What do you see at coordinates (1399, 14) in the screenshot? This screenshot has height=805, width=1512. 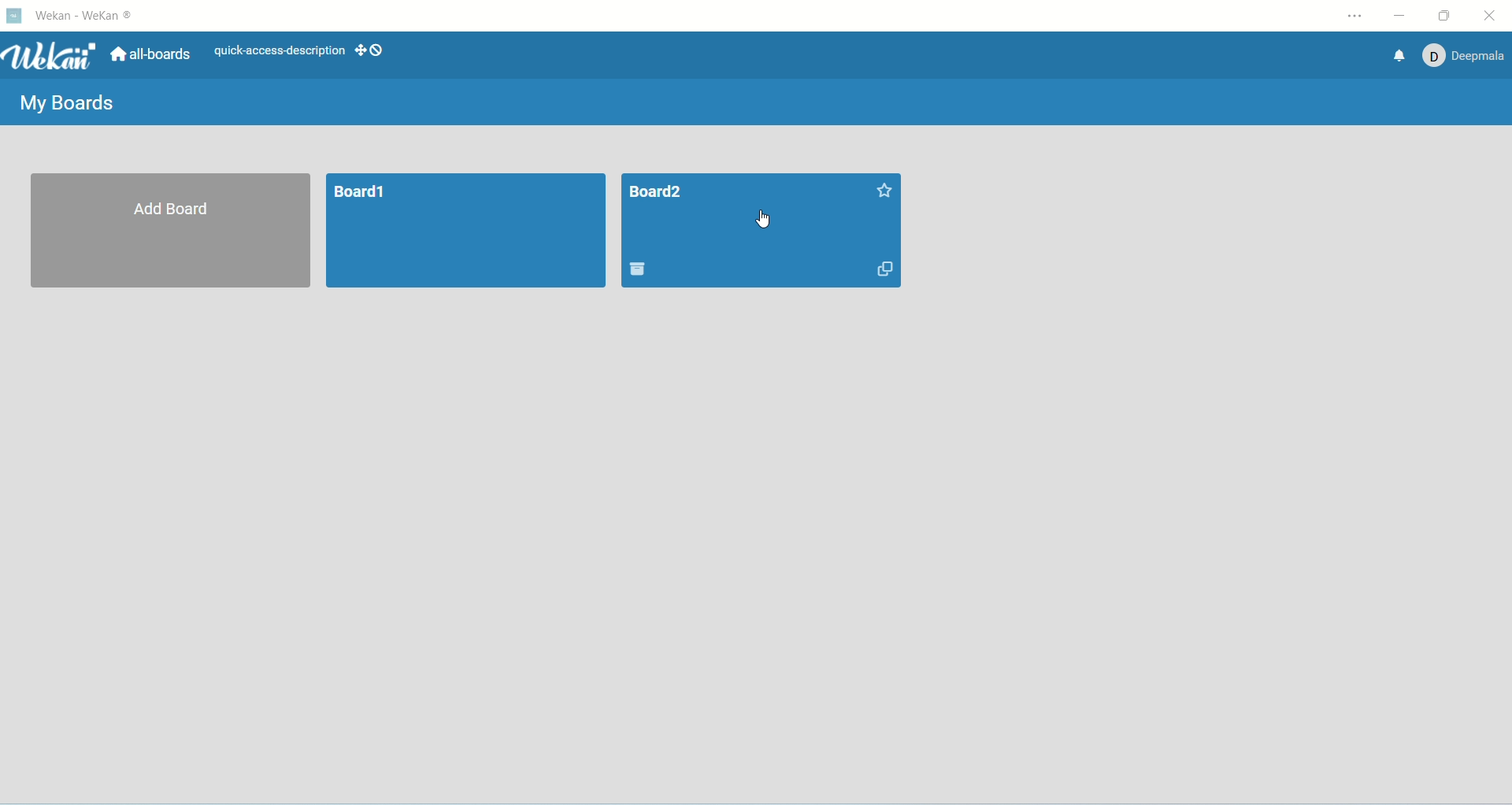 I see `minimize` at bounding box center [1399, 14].